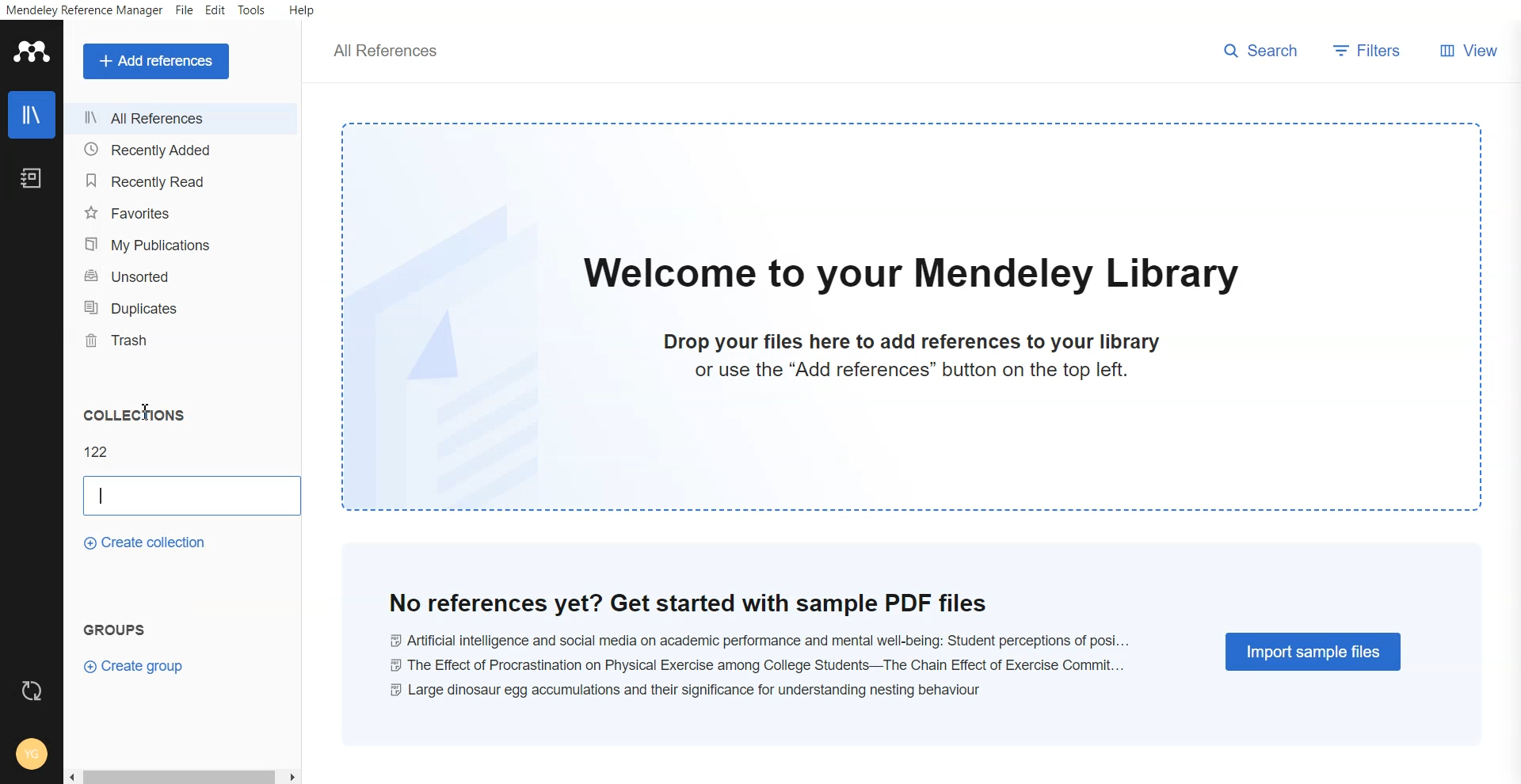 Image resolution: width=1521 pixels, height=784 pixels. What do you see at coordinates (696, 688) in the screenshot?
I see `large dinosaur egg accumulations and their significance for understanding nestling behaviour` at bounding box center [696, 688].